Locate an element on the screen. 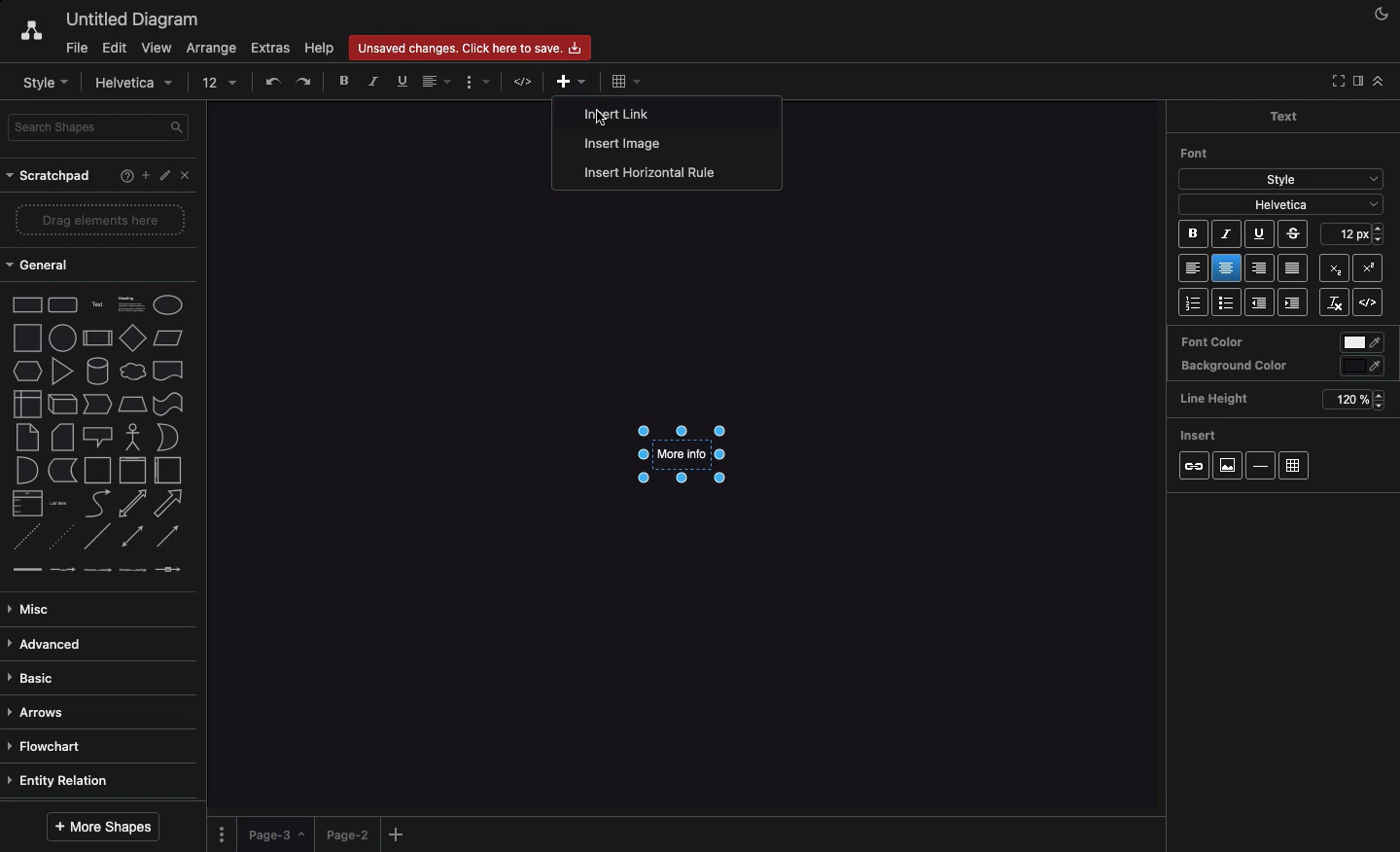  File is located at coordinates (75, 47).